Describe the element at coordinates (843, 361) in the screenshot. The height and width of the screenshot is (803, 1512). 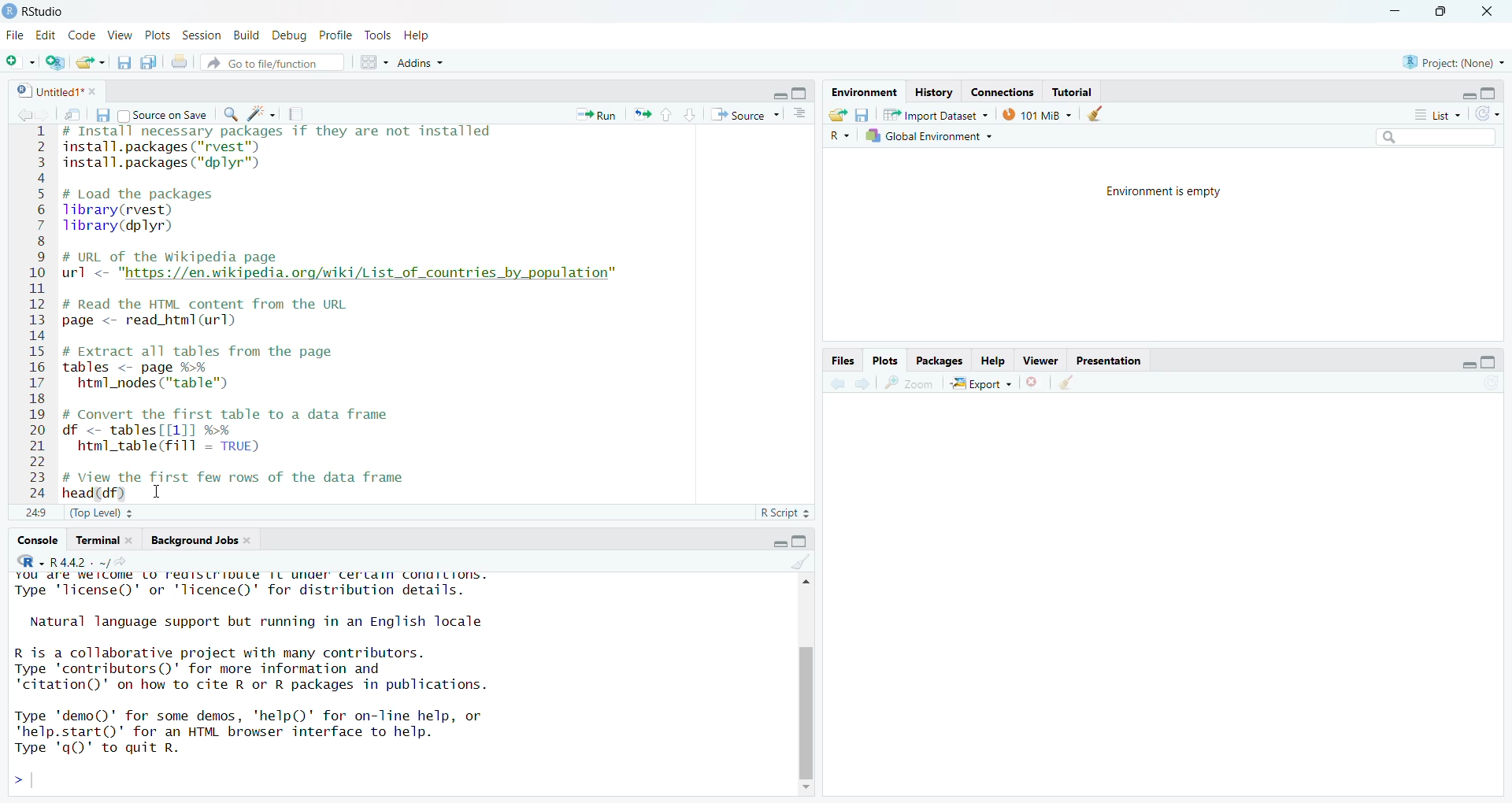
I see `Files` at that location.